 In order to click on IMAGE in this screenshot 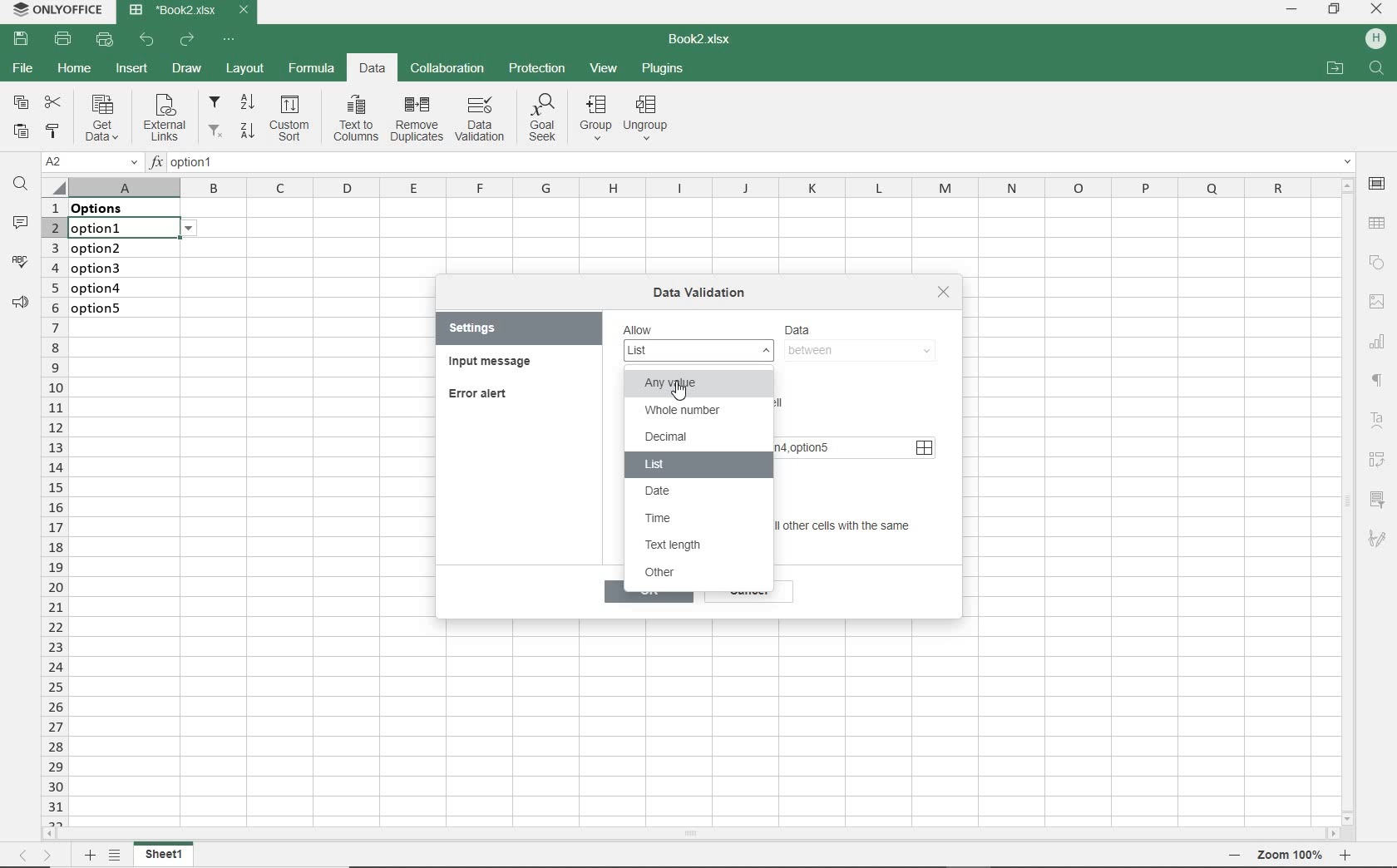, I will do `click(1379, 302)`.